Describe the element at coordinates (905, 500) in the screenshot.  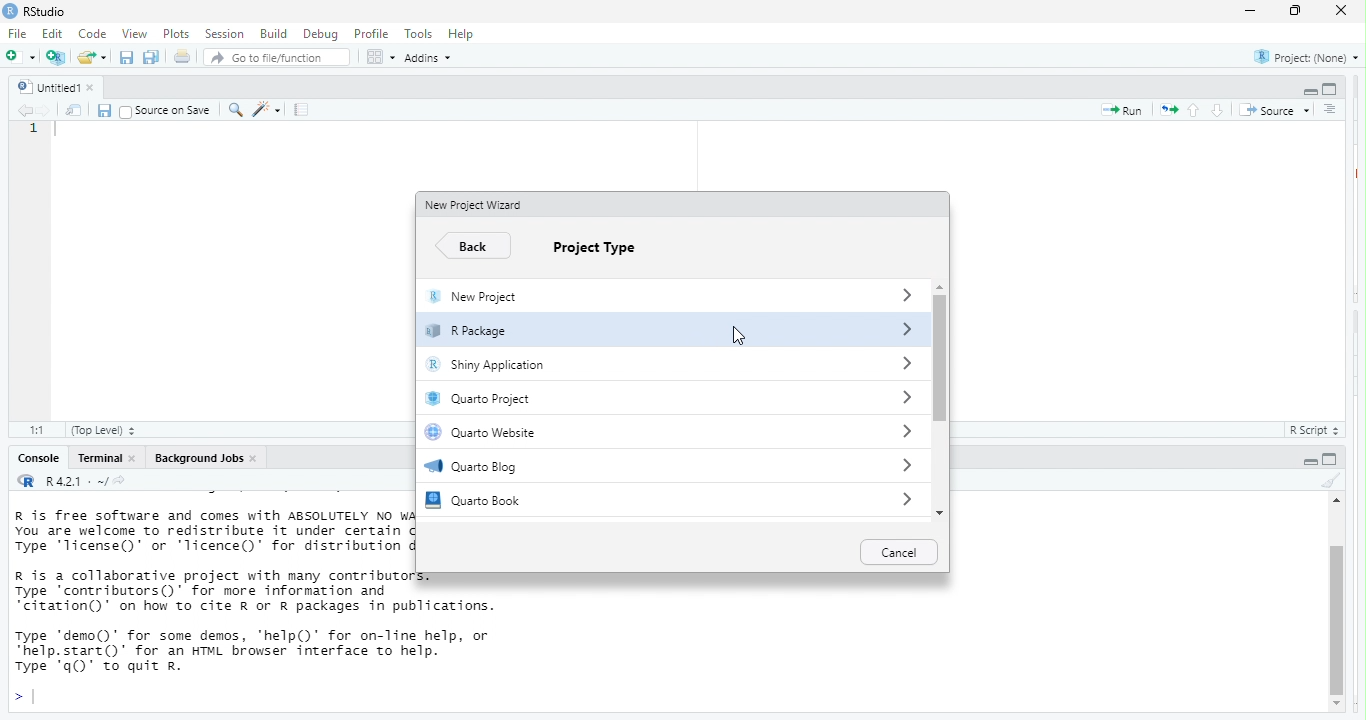
I see `dropdown` at that location.